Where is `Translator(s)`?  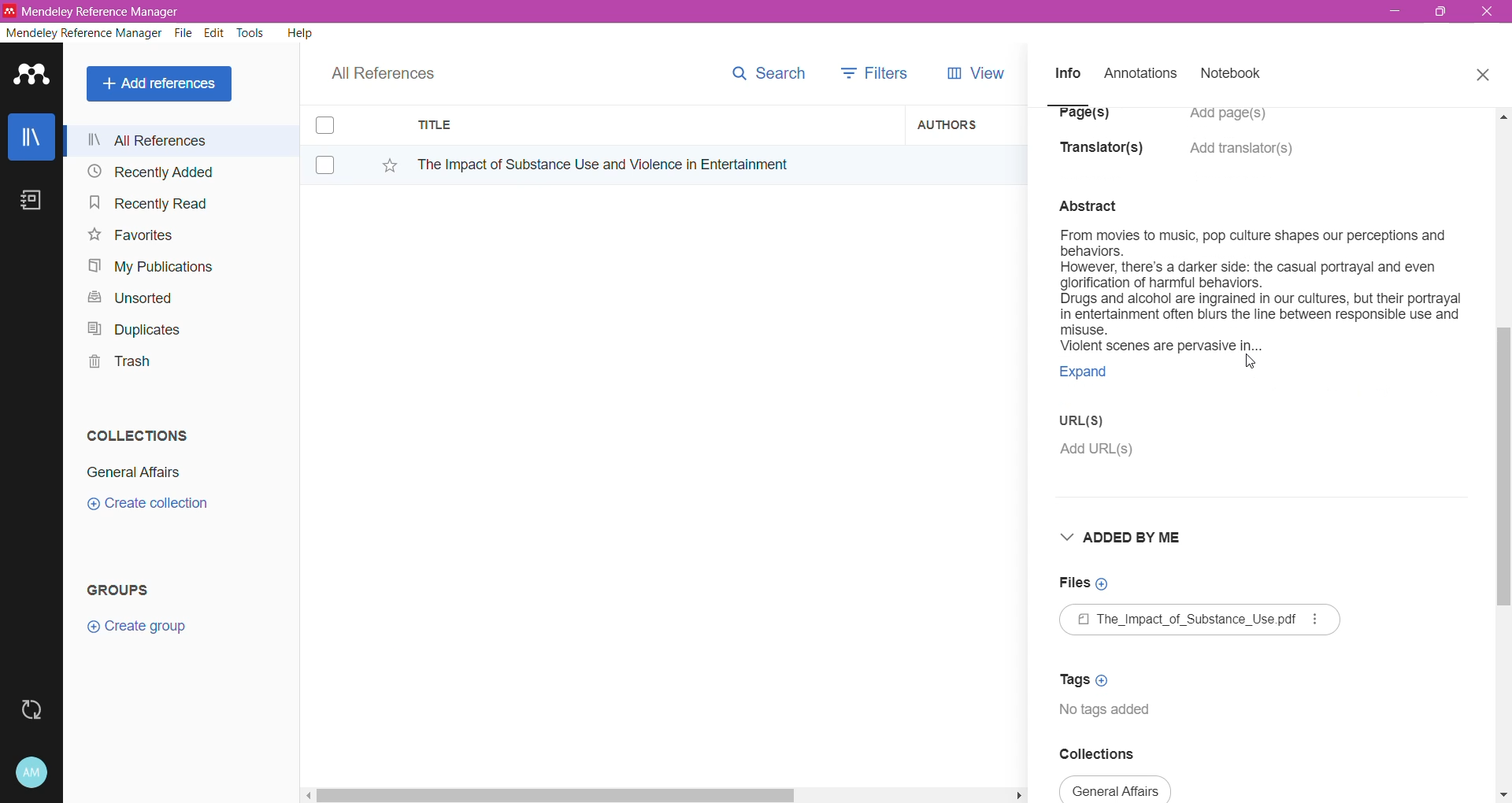
Translator(s) is located at coordinates (1106, 155).